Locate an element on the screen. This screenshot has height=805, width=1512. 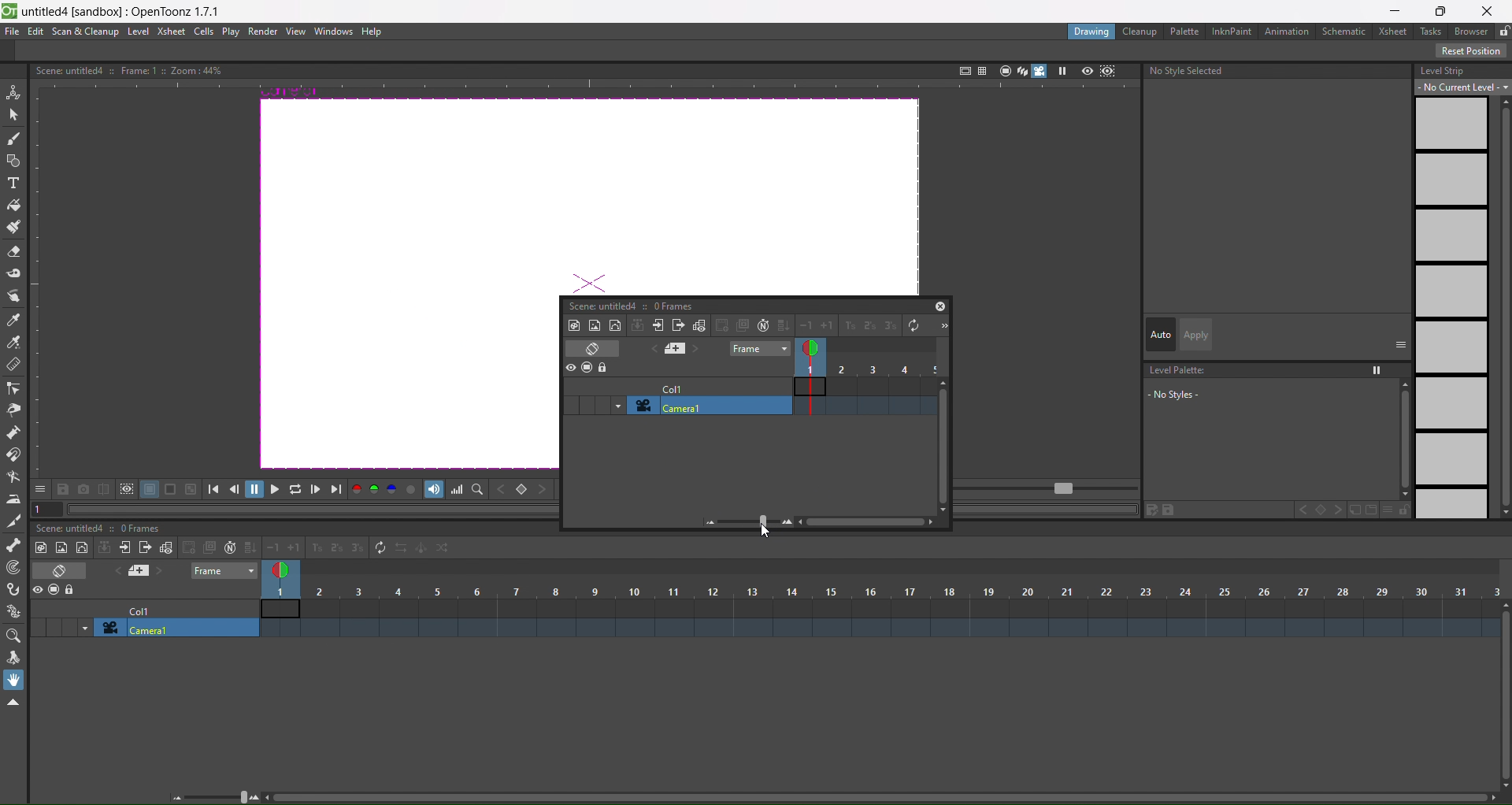
rbg picker tool is located at coordinates (14, 343).